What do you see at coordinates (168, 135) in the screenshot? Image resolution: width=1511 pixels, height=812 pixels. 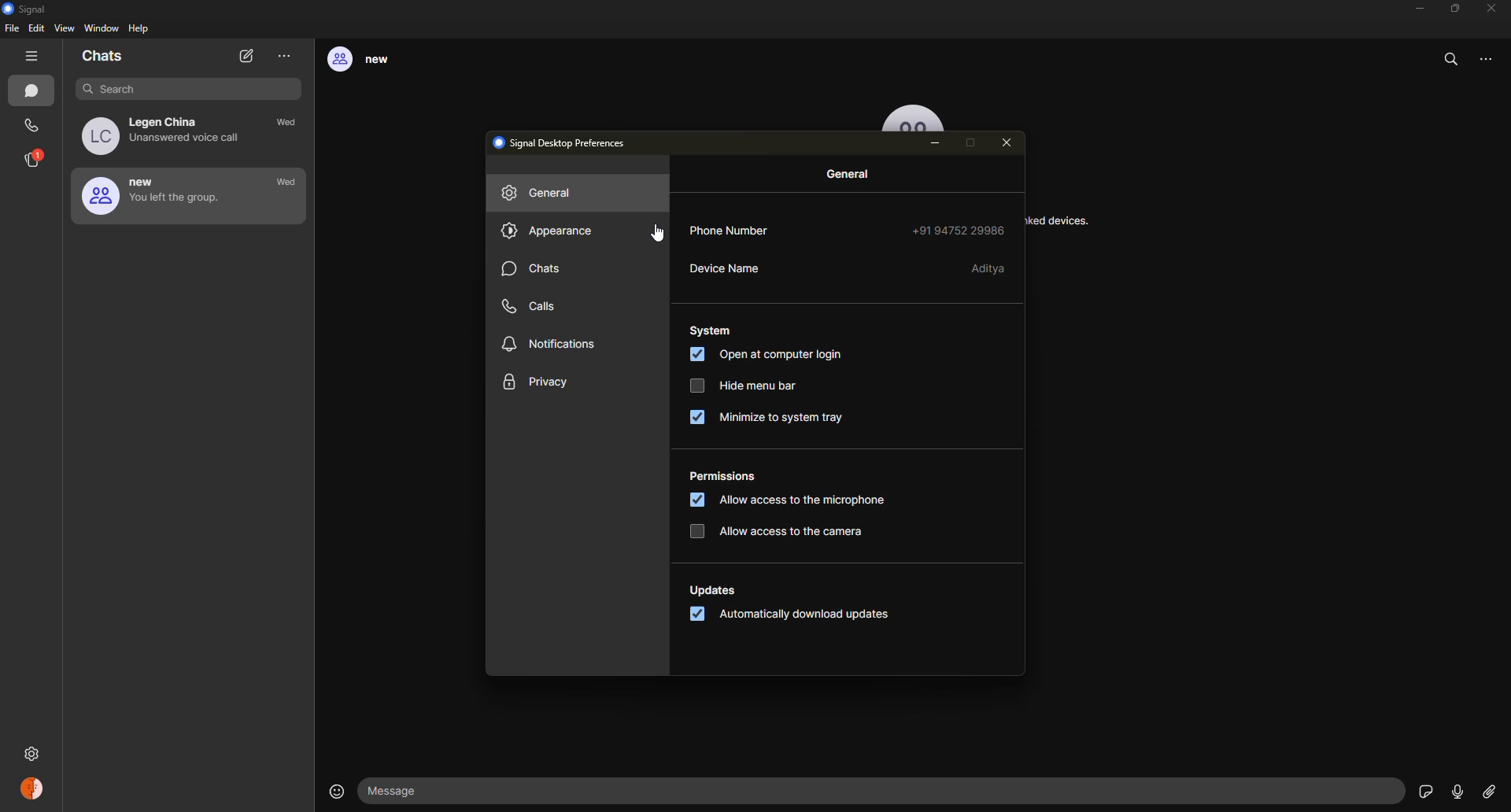 I see `Legen China` at bounding box center [168, 135].